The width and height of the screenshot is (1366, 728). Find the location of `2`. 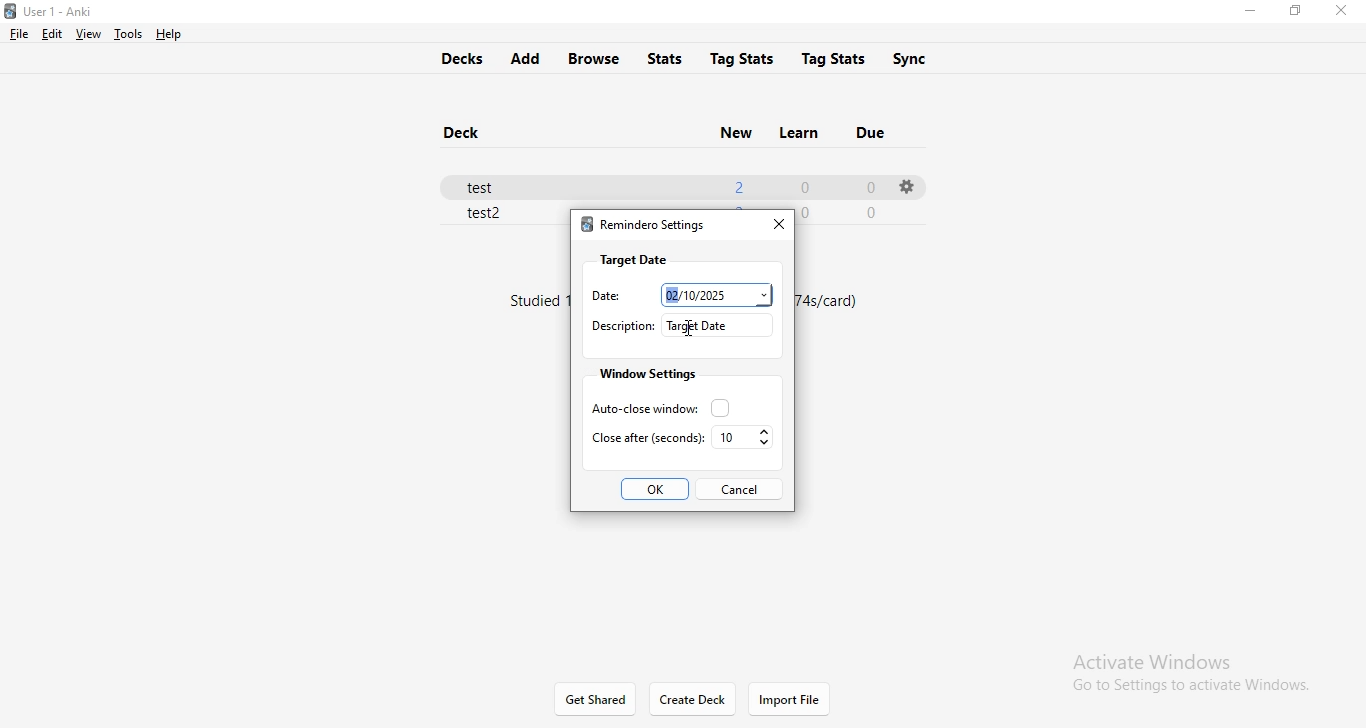

2 is located at coordinates (737, 184).